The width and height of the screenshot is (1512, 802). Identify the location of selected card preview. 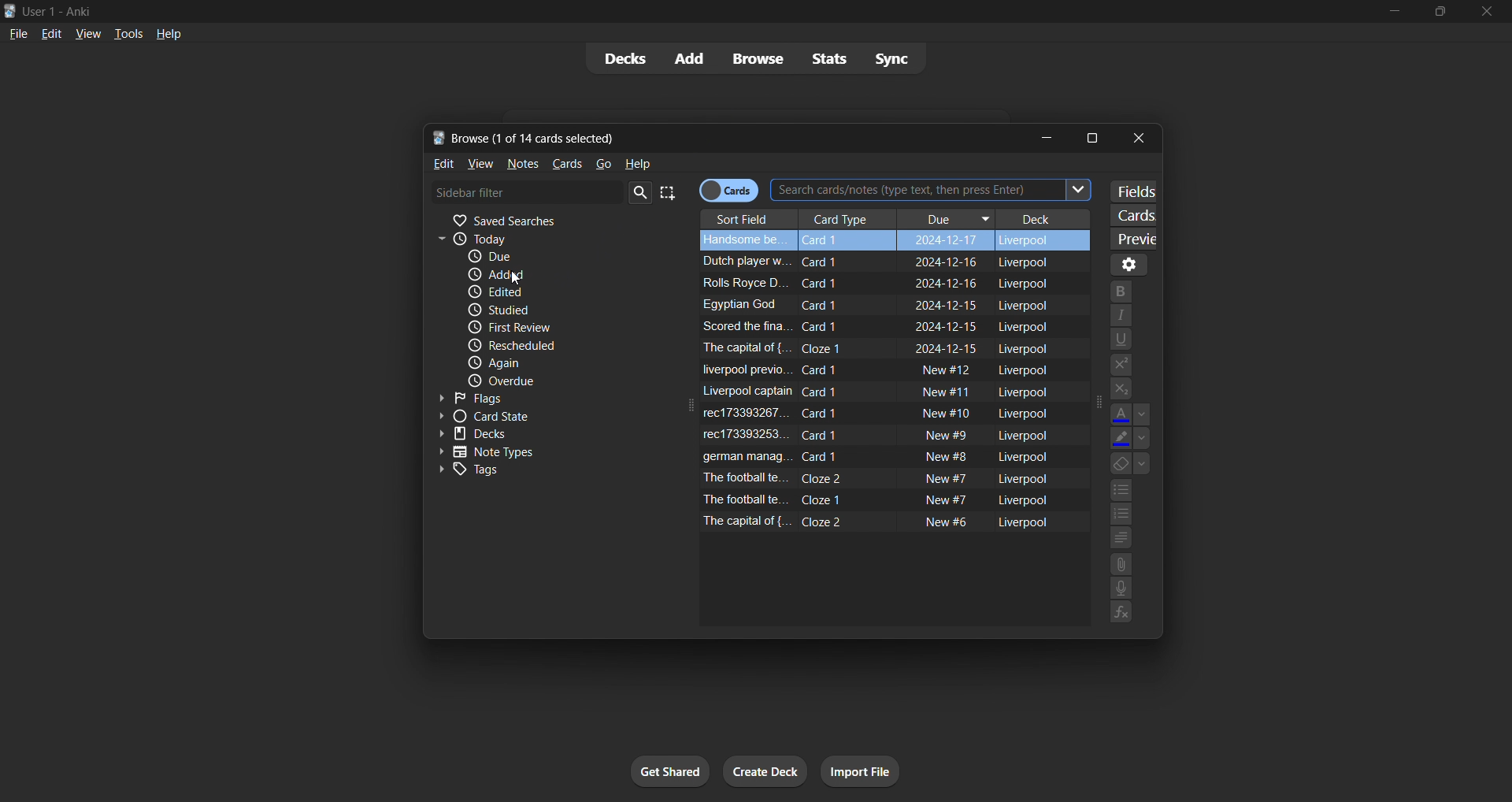
(1131, 236).